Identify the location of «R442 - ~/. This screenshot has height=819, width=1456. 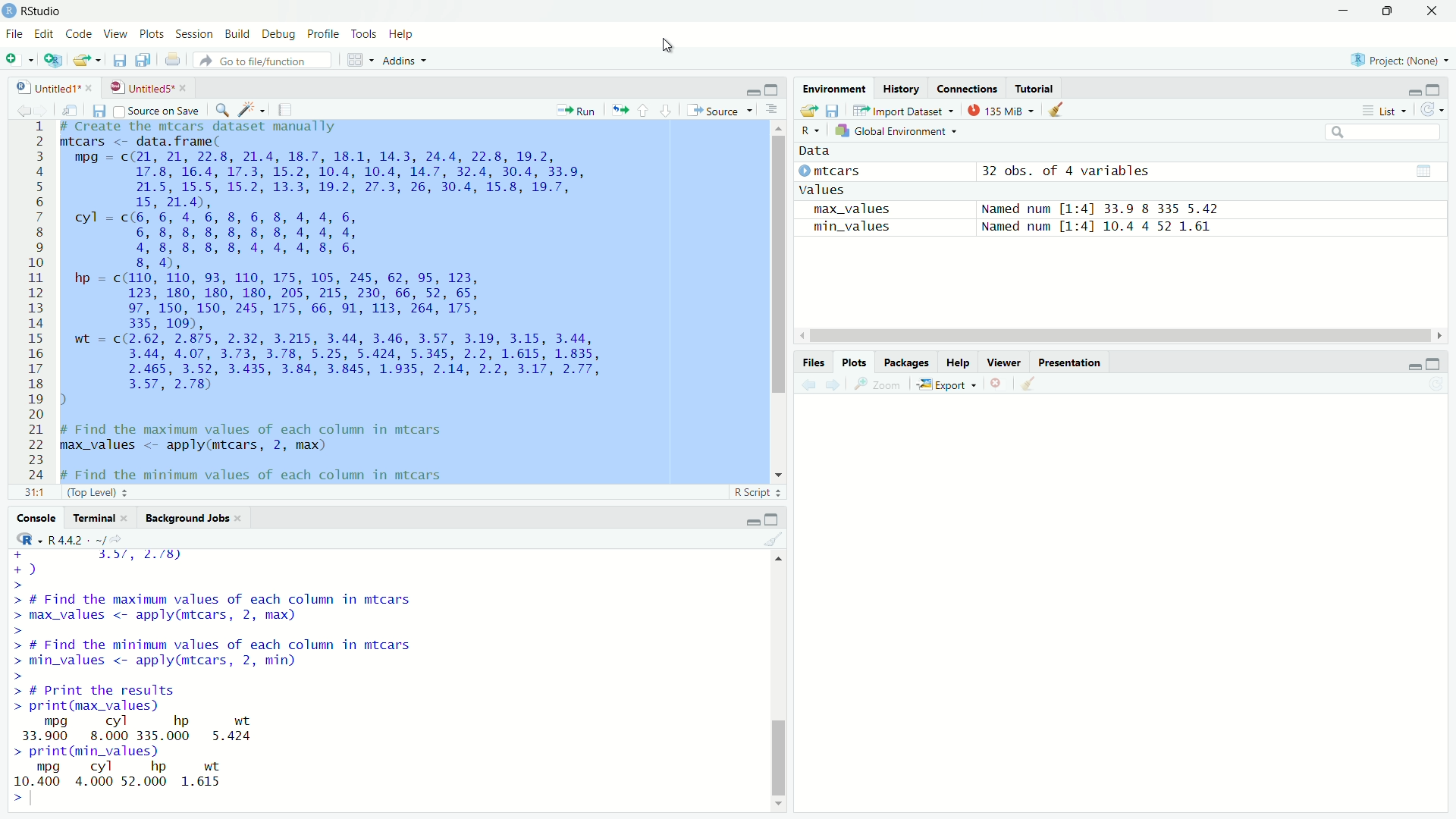
(67, 538).